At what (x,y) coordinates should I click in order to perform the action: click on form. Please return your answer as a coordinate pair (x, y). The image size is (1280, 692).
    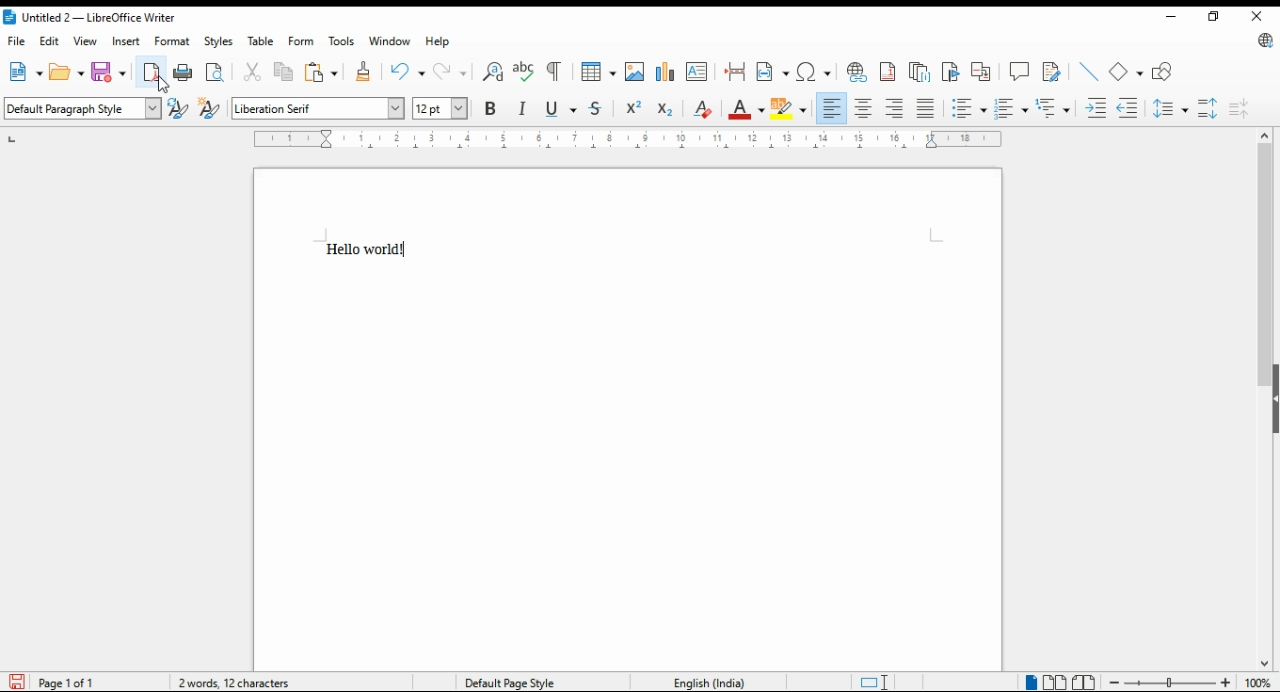
    Looking at the image, I should click on (301, 42).